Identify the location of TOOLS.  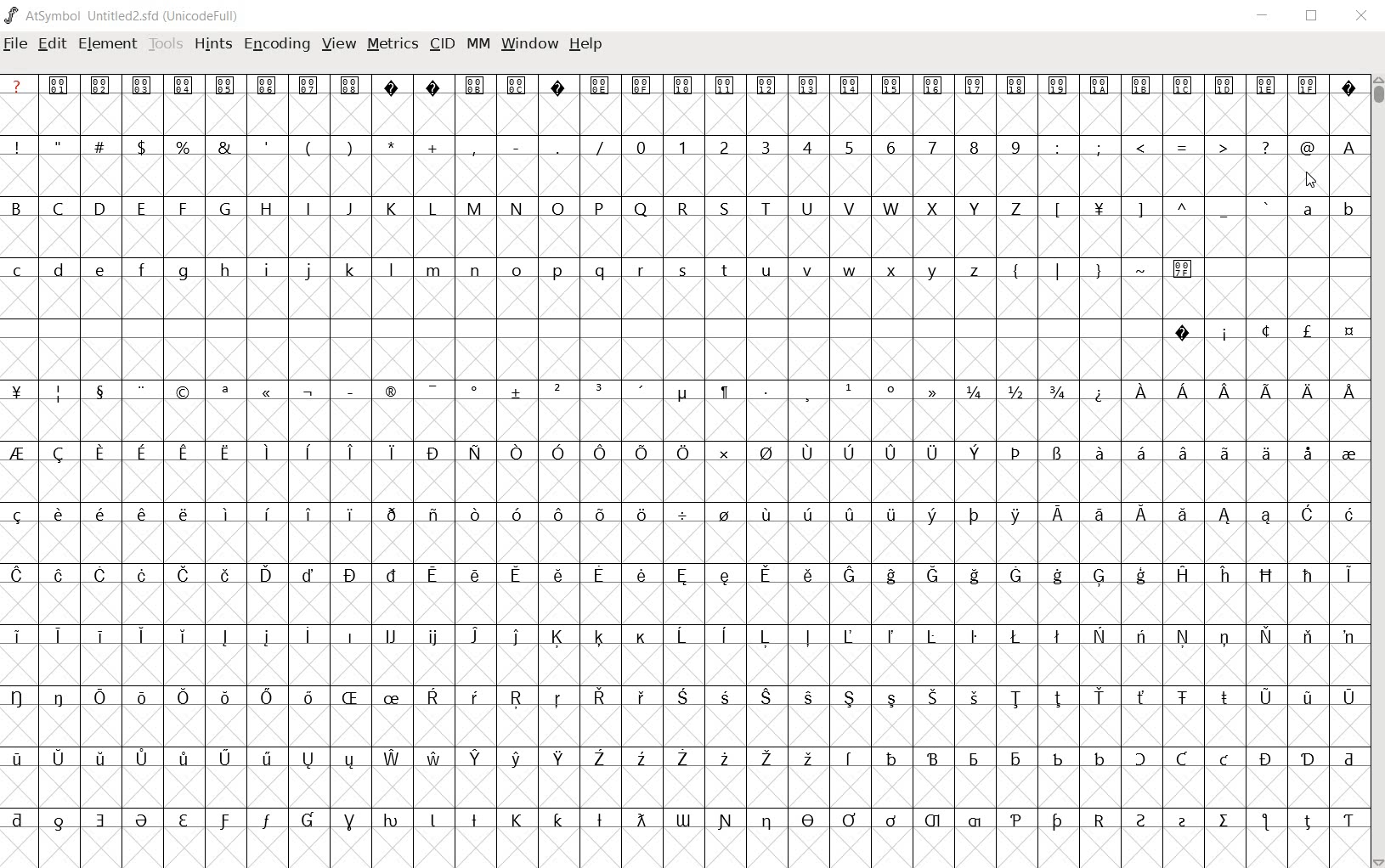
(165, 45).